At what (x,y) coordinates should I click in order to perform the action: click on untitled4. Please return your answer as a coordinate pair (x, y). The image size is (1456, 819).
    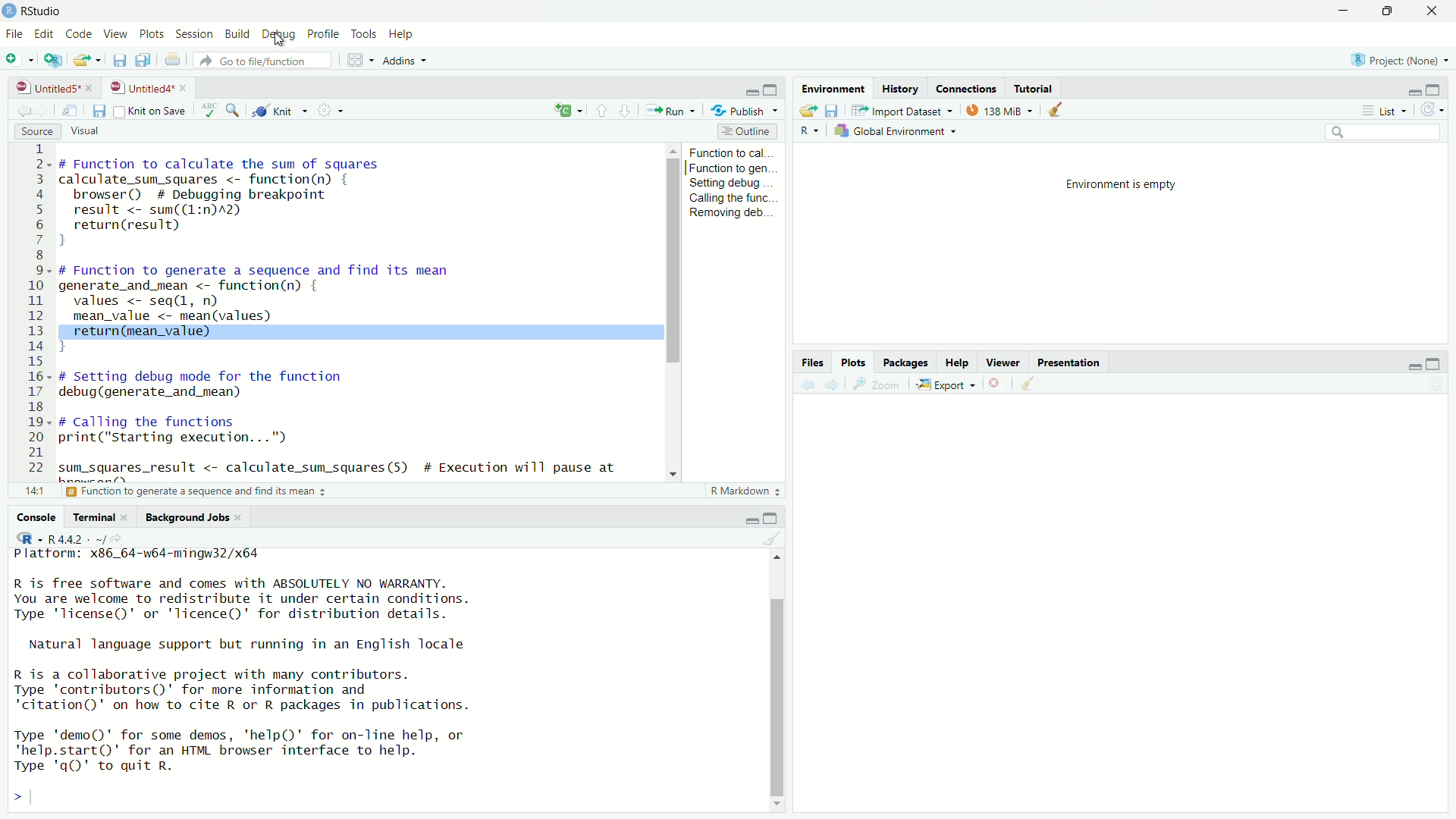
    Looking at the image, I should click on (143, 87).